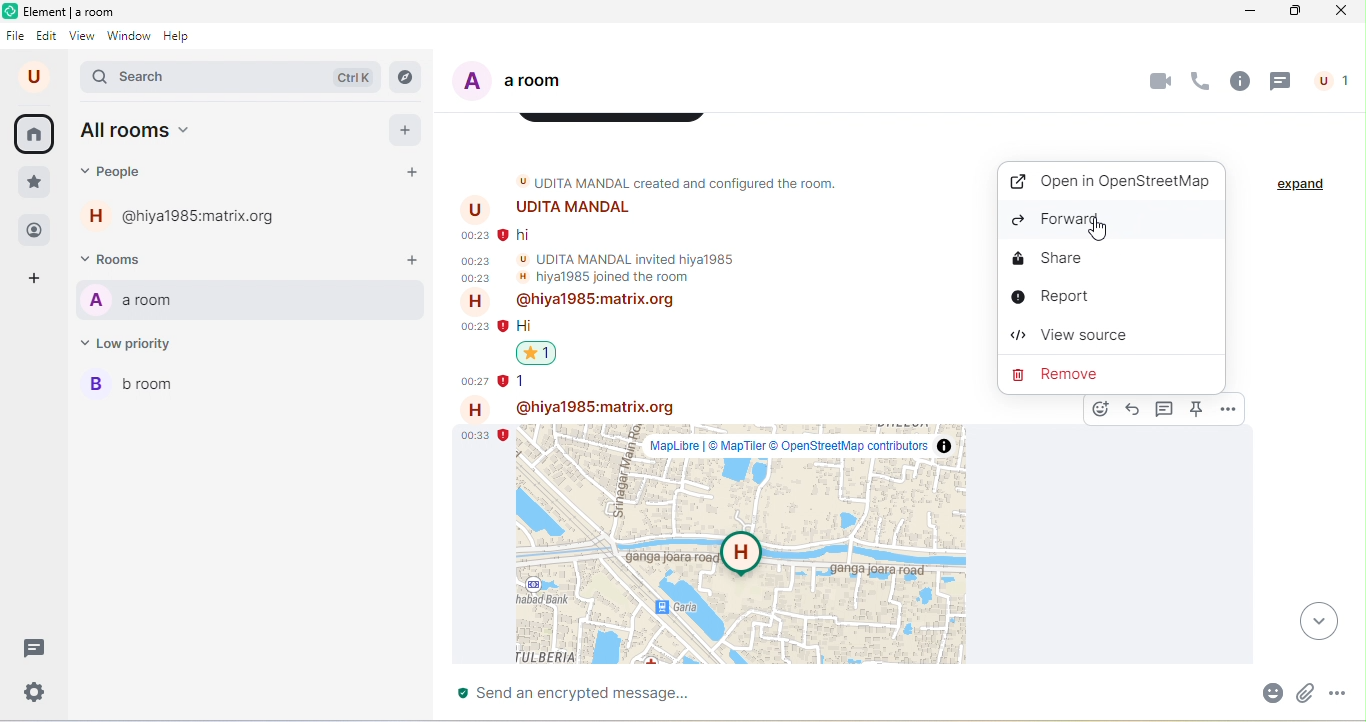 The width and height of the screenshot is (1366, 722). Describe the element at coordinates (1294, 14) in the screenshot. I see `maximize` at that location.